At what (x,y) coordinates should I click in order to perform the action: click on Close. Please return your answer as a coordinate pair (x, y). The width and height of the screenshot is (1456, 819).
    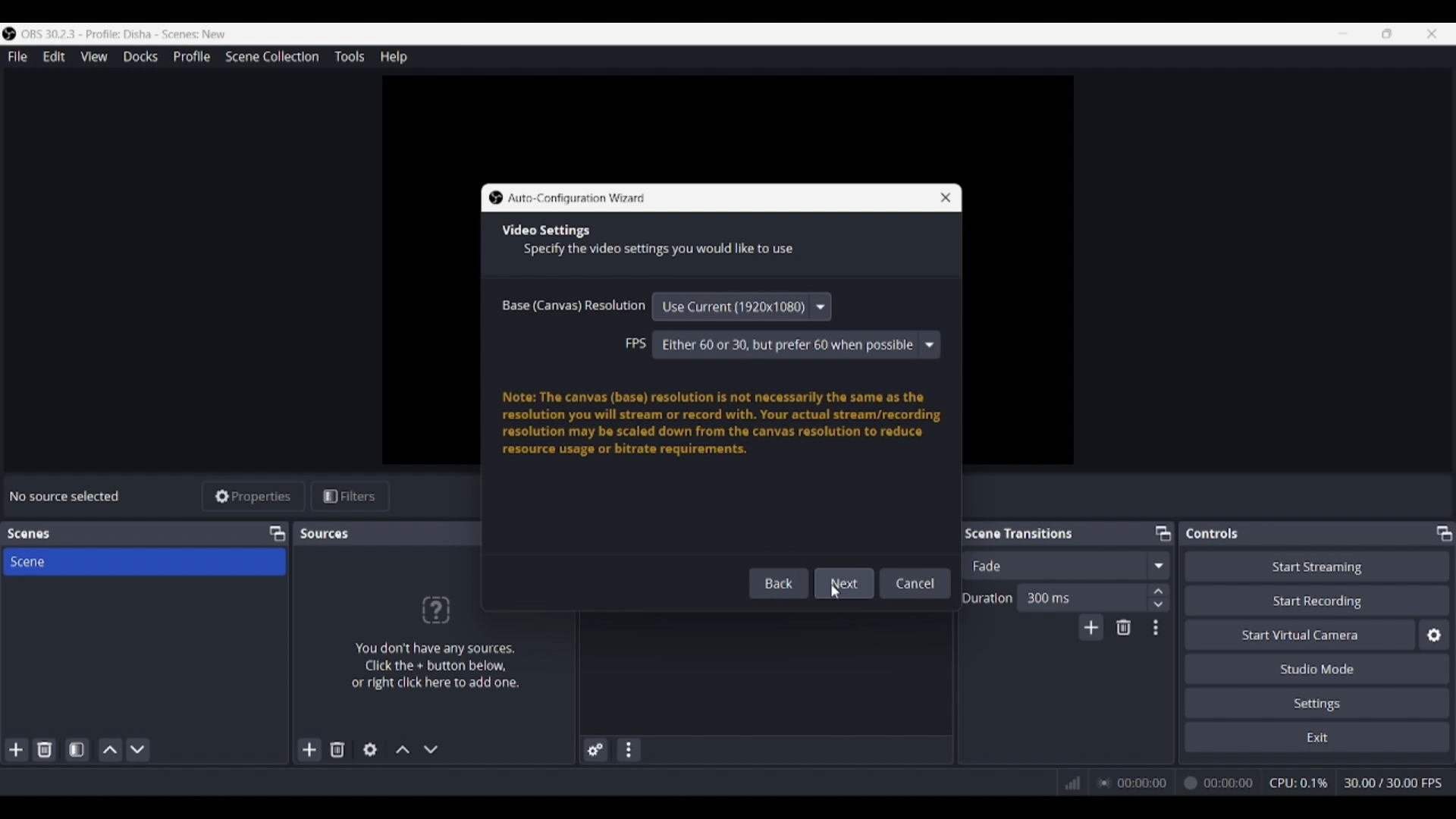
    Looking at the image, I should click on (938, 201).